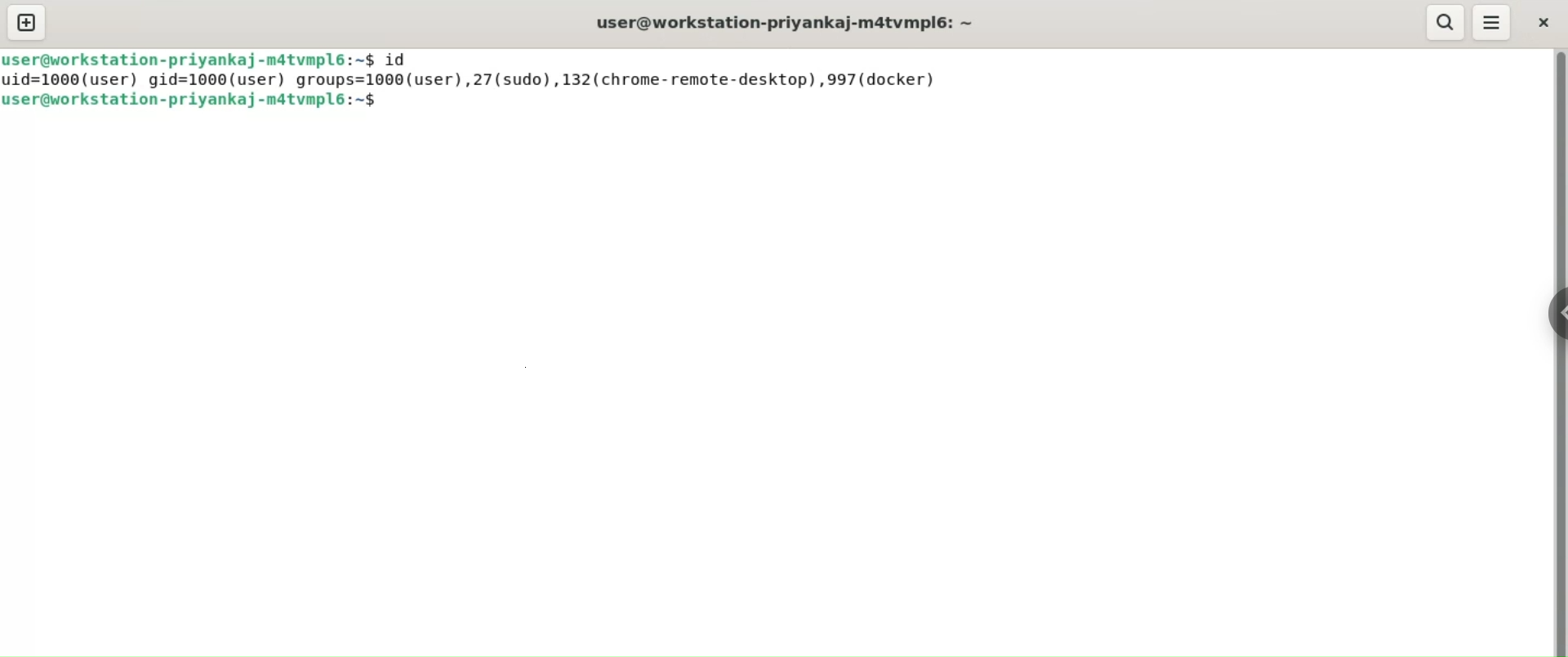 Image resolution: width=1568 pixels, height=657 pixels. Describe the element at coordinates (194, 100) in the screenshot. I see `shell prompt:  user@workstation-priyankaj-m4tvmpl6: ~$` at that location.